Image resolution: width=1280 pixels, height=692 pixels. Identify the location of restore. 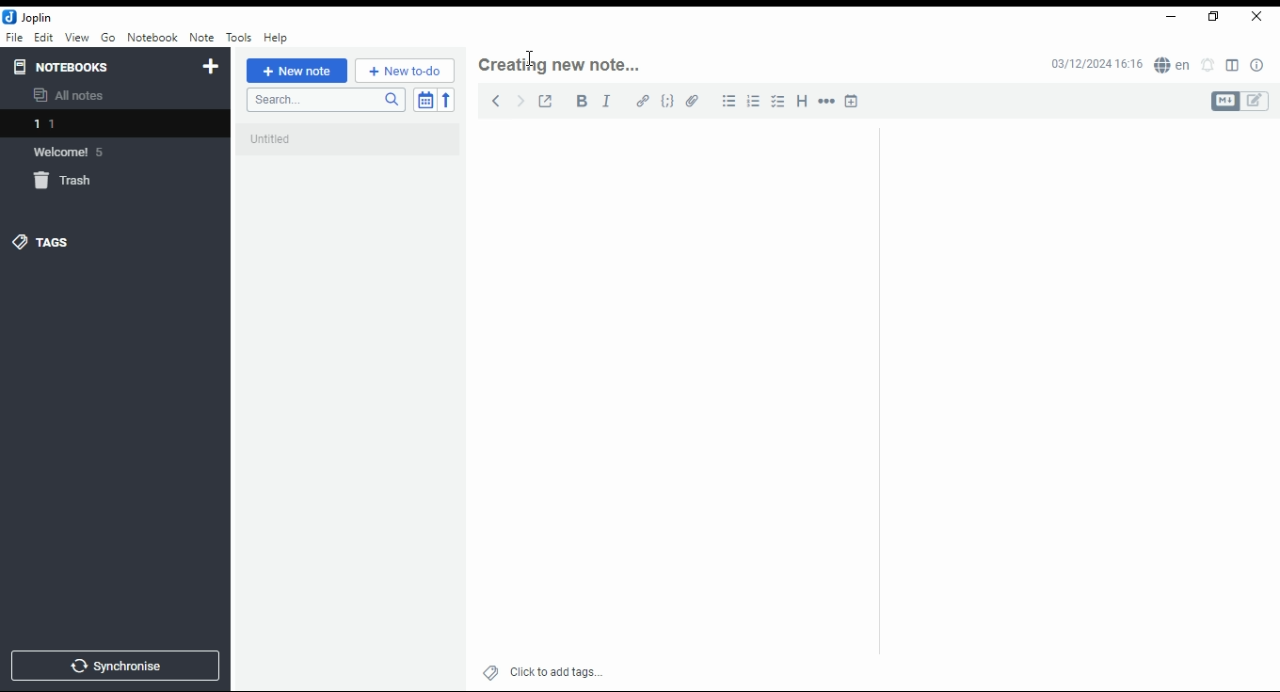
(1216, 17).